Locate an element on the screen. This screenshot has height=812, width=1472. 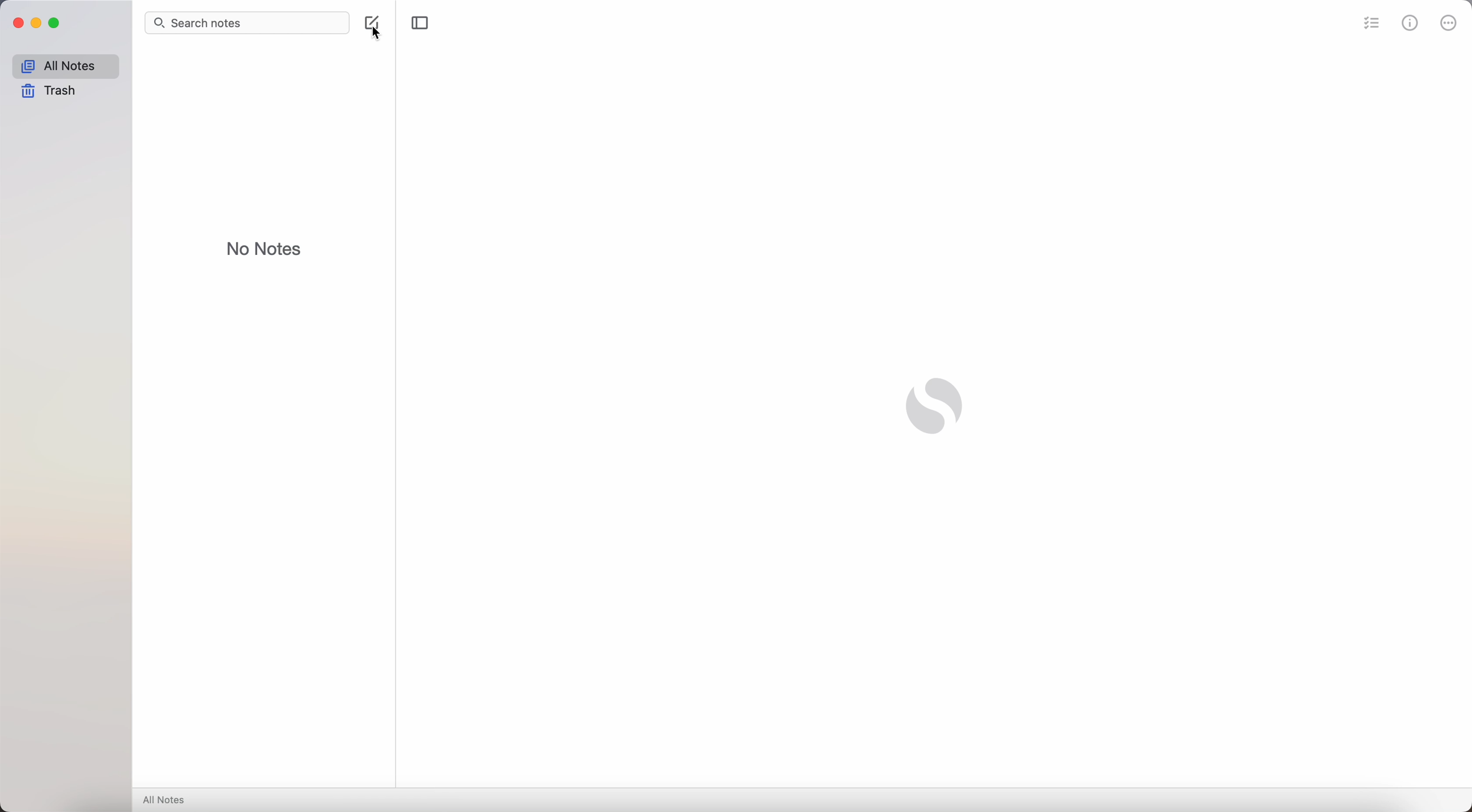
cursor is located at coordinates (378, 35).